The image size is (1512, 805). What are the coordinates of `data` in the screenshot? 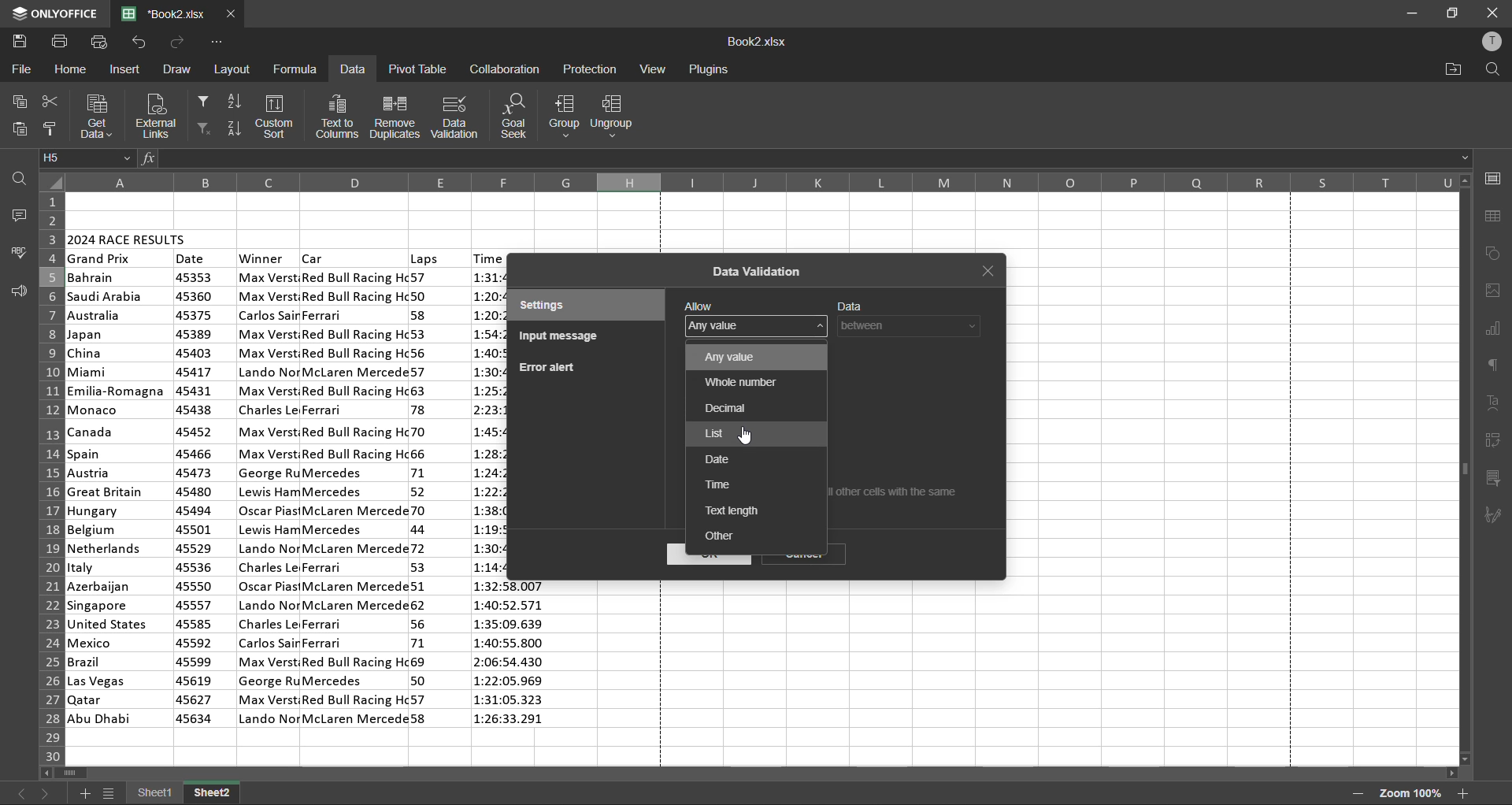 It's located at (352, 71).